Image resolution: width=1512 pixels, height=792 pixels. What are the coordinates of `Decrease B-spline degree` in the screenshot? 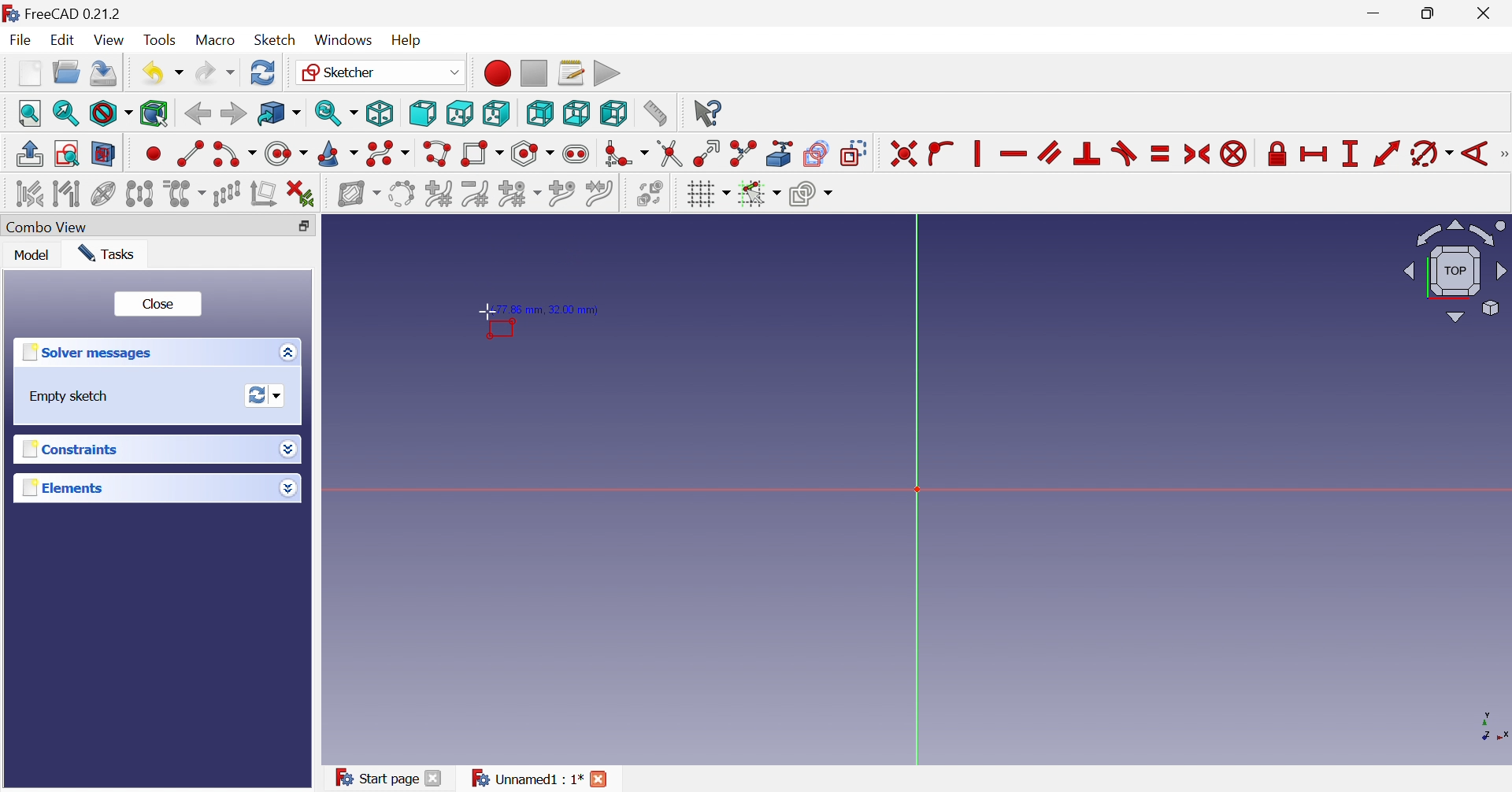 It's located at (475, 194).